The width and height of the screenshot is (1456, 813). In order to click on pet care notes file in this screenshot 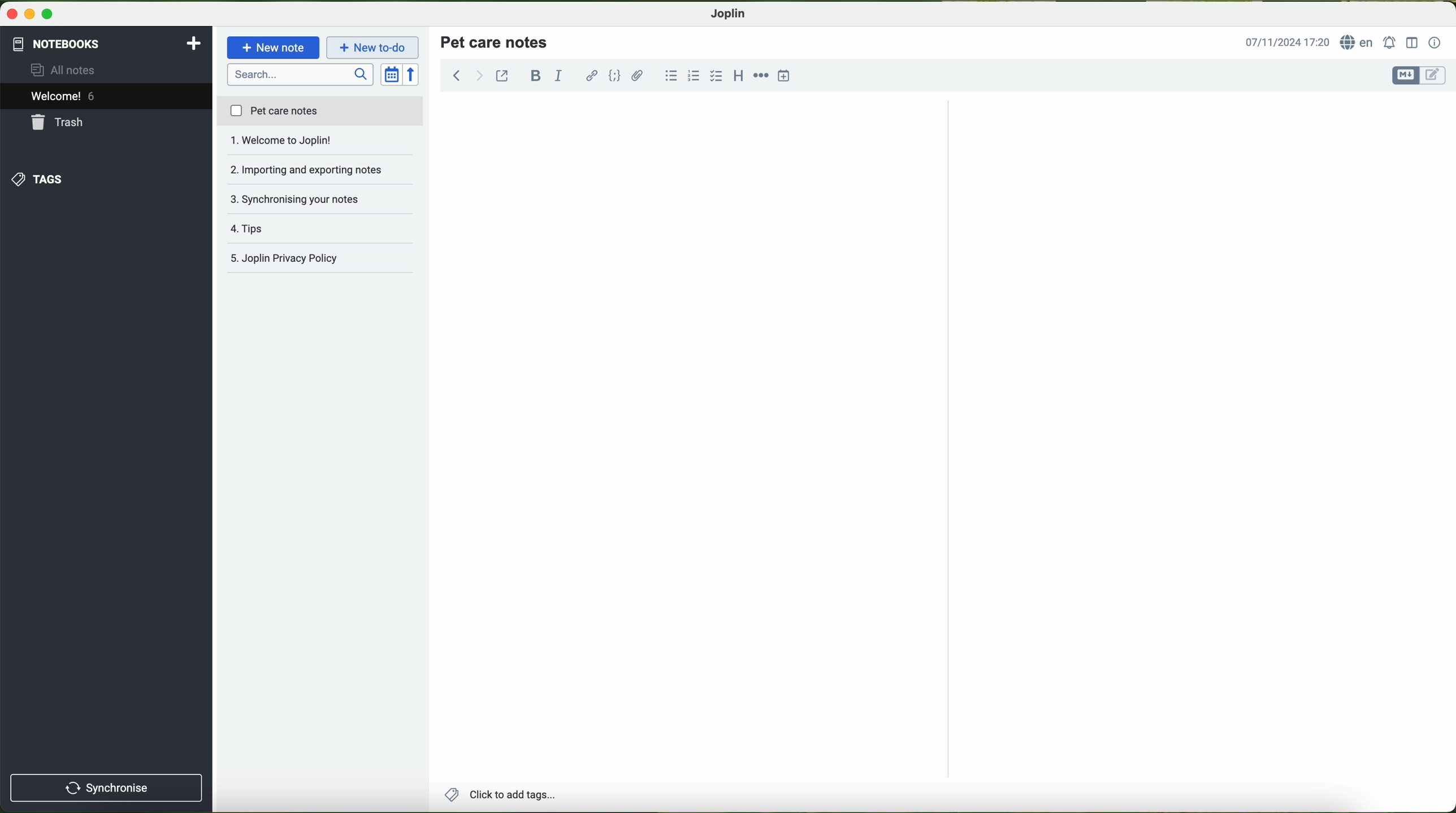, I will do `click(319, 112)`.